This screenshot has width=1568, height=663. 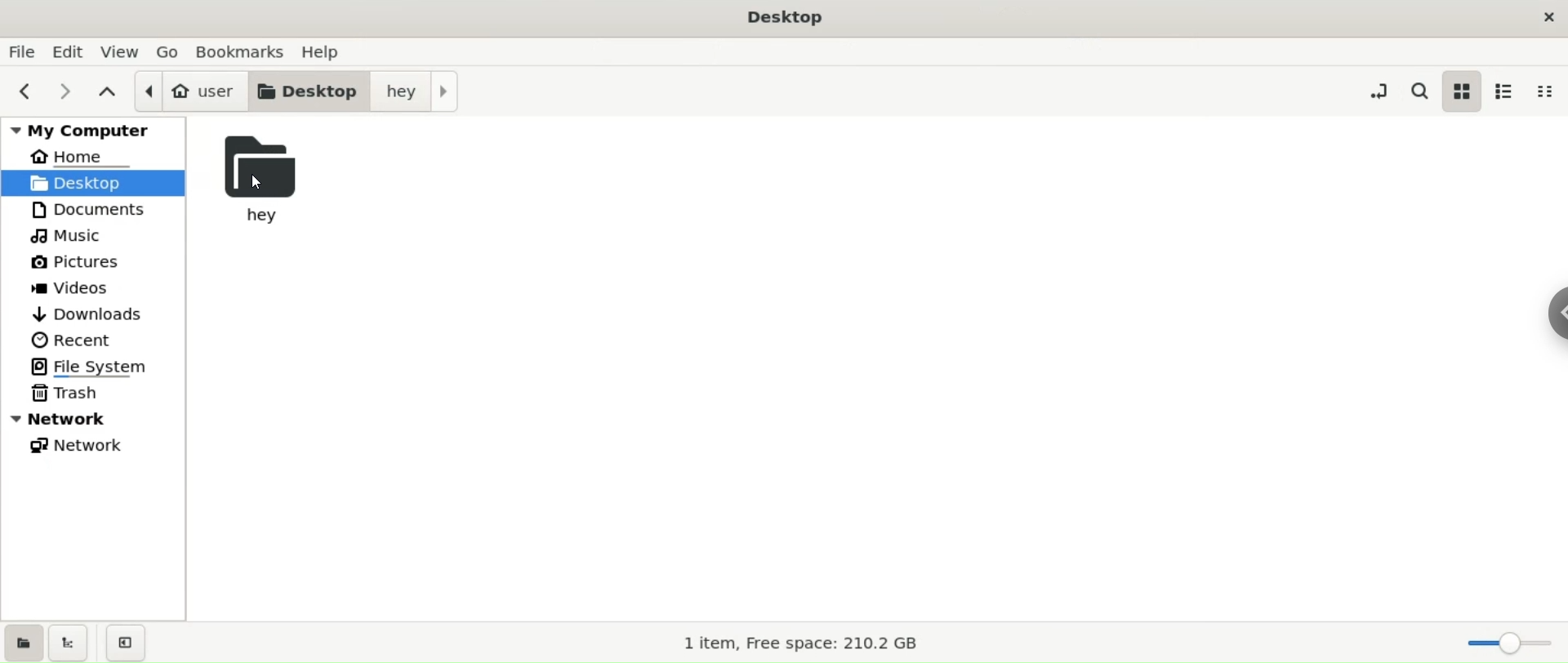 What do you see at coordinates (92, 419) in the screenshot?
I see `network` at bounding box center [92, 419].